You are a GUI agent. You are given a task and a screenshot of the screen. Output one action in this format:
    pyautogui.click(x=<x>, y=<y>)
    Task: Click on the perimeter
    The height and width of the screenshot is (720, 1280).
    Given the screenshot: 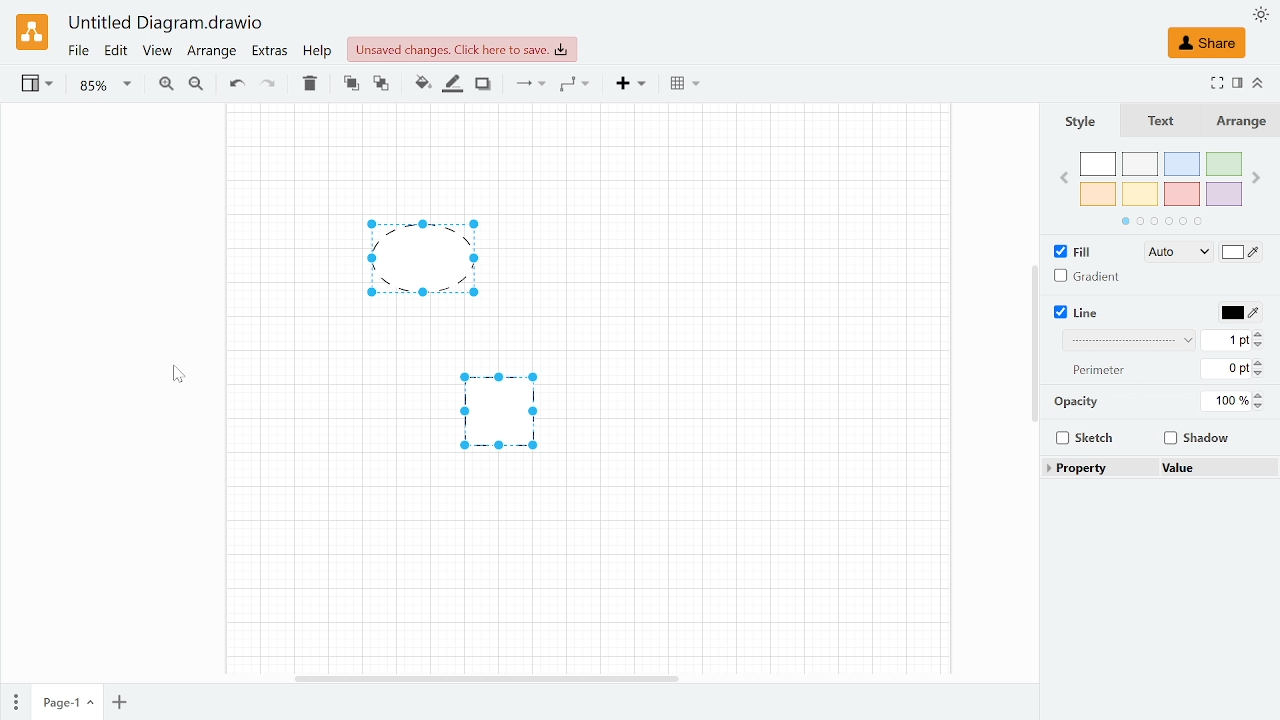 What is the action you would take?
    pyautogui.click(x=1099, y=370)
    